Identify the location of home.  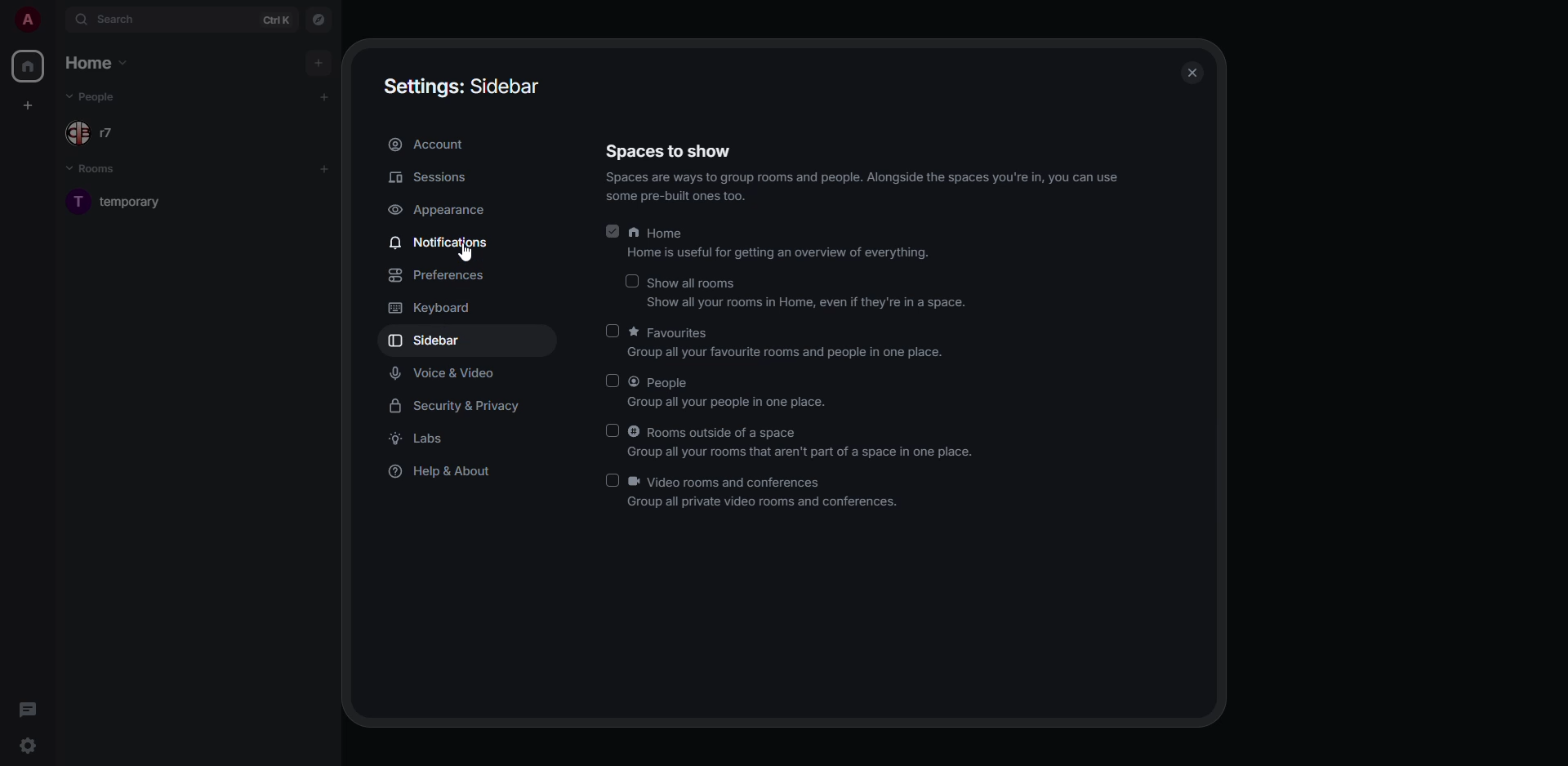
(28, 68).